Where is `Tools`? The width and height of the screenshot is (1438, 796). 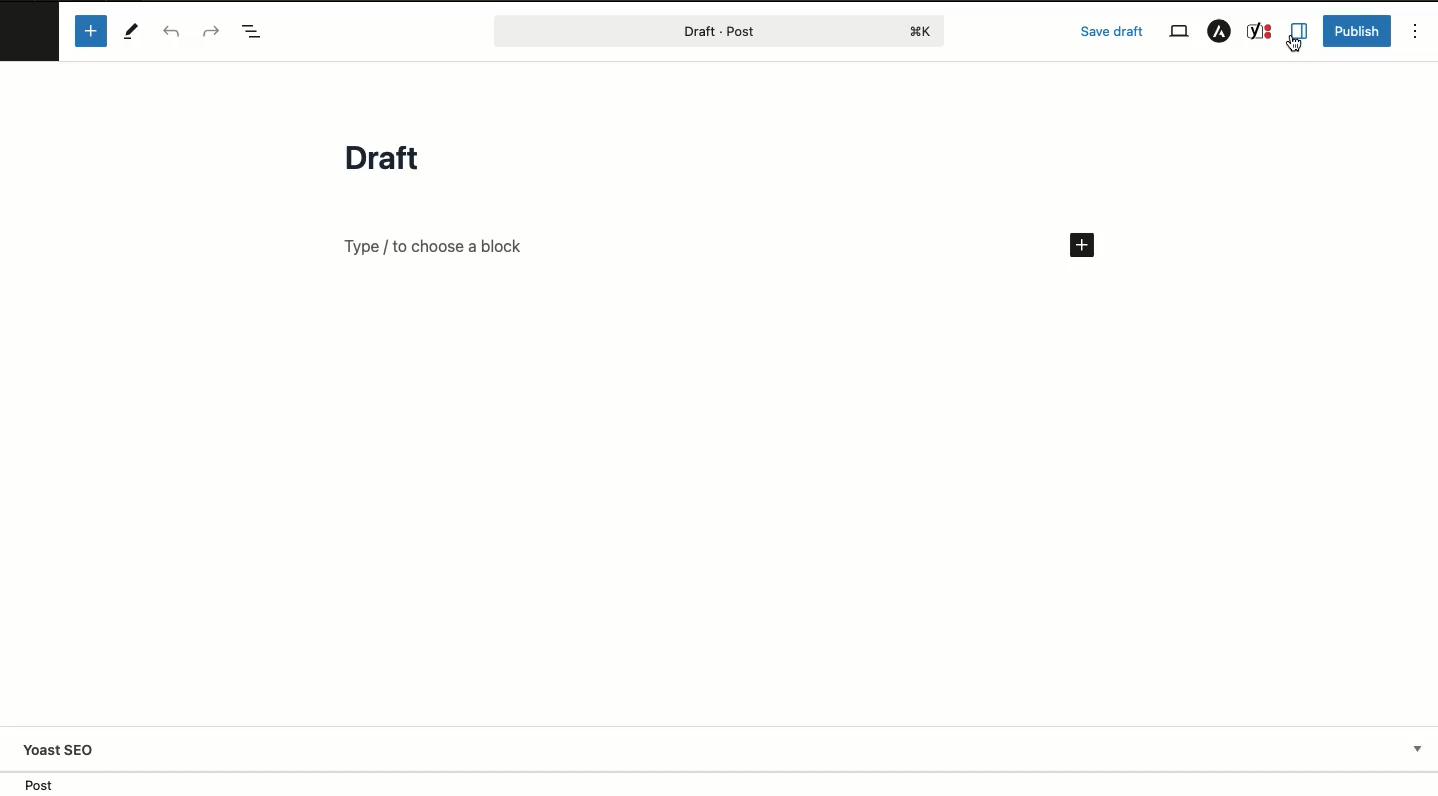
Tools is located at coordinates (129, 30).